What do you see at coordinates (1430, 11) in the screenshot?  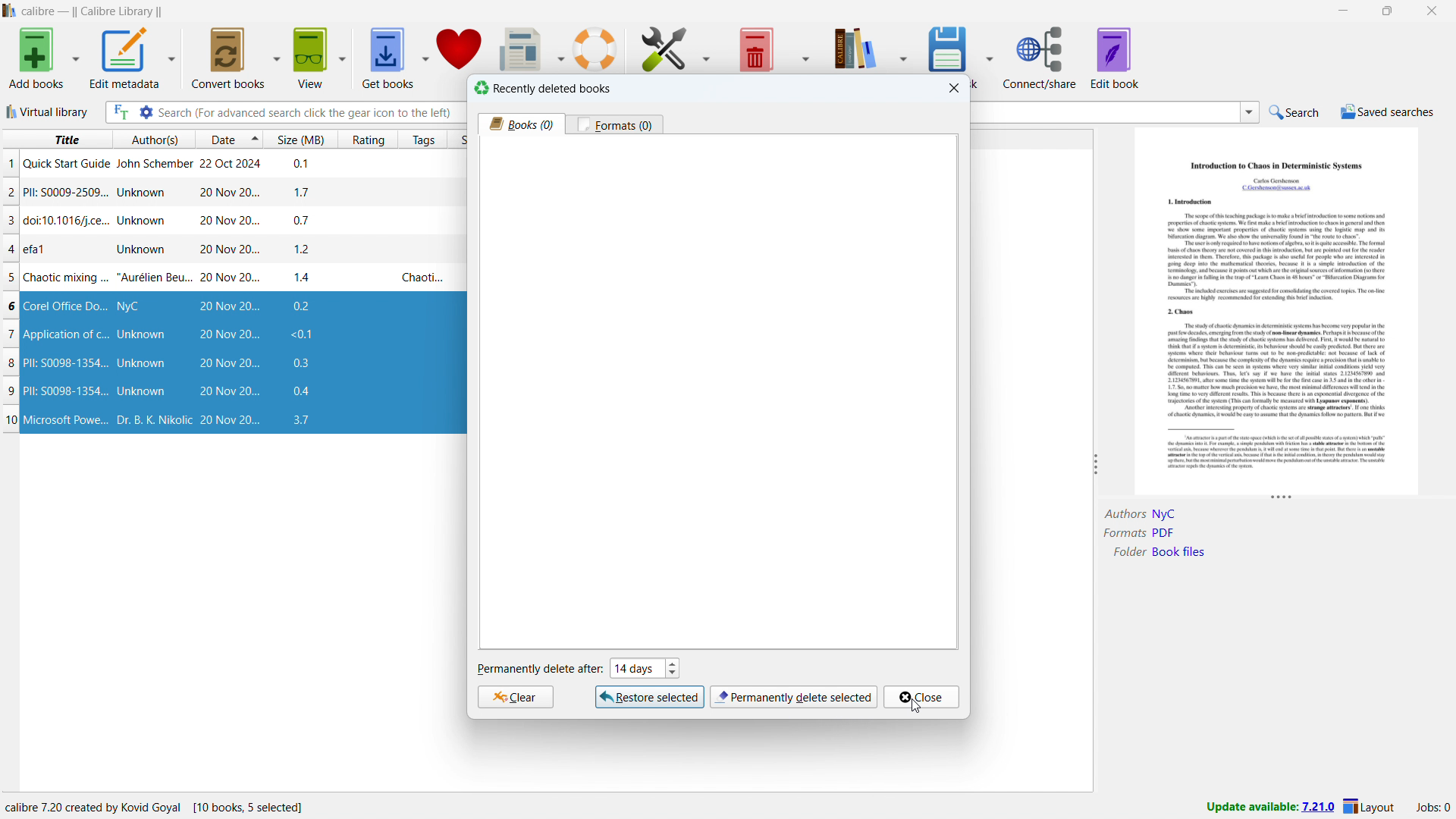 I see `close` at bounding box center [1430, 11].